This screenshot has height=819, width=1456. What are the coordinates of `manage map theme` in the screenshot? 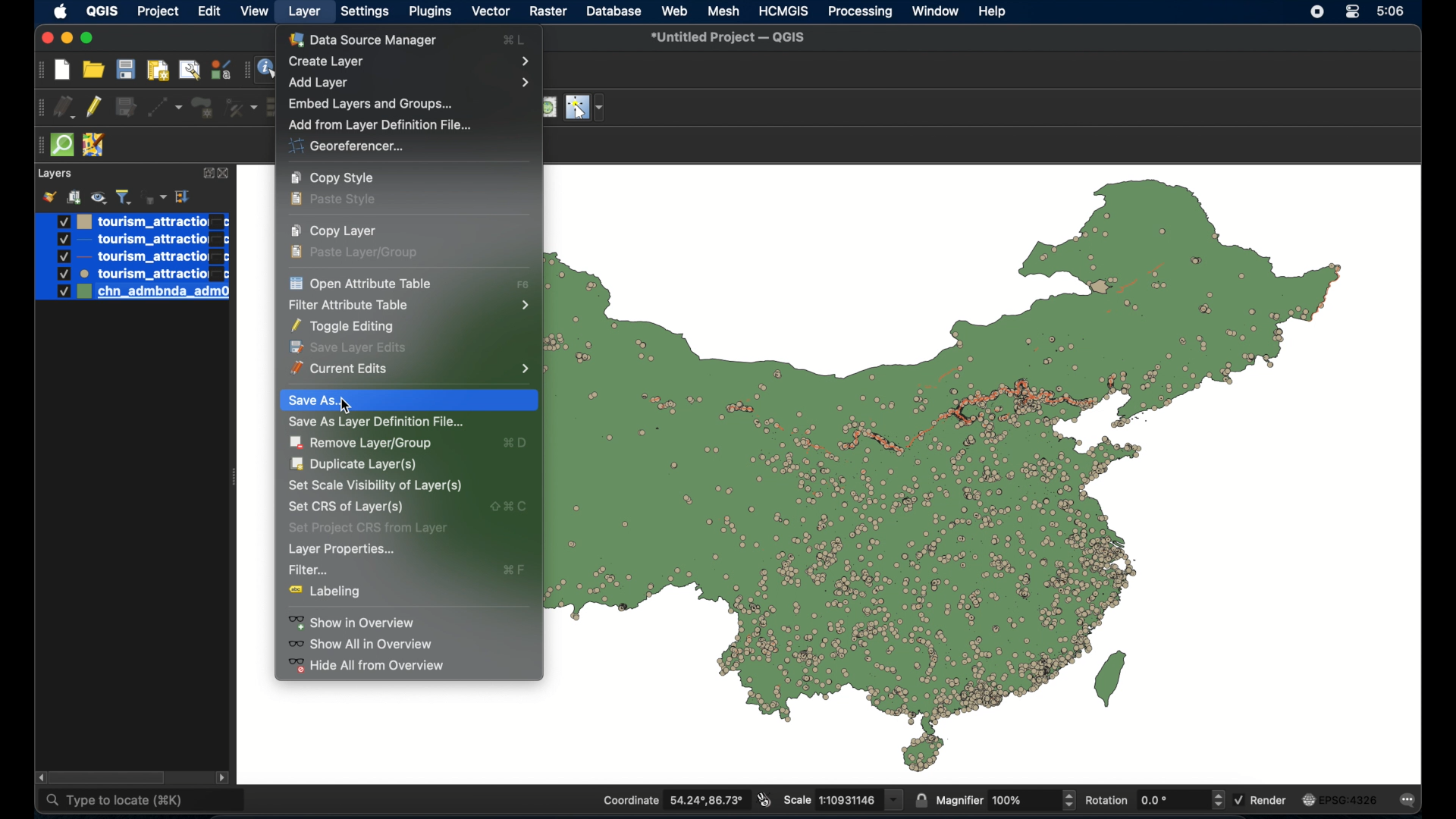 It's located at (98, 197).